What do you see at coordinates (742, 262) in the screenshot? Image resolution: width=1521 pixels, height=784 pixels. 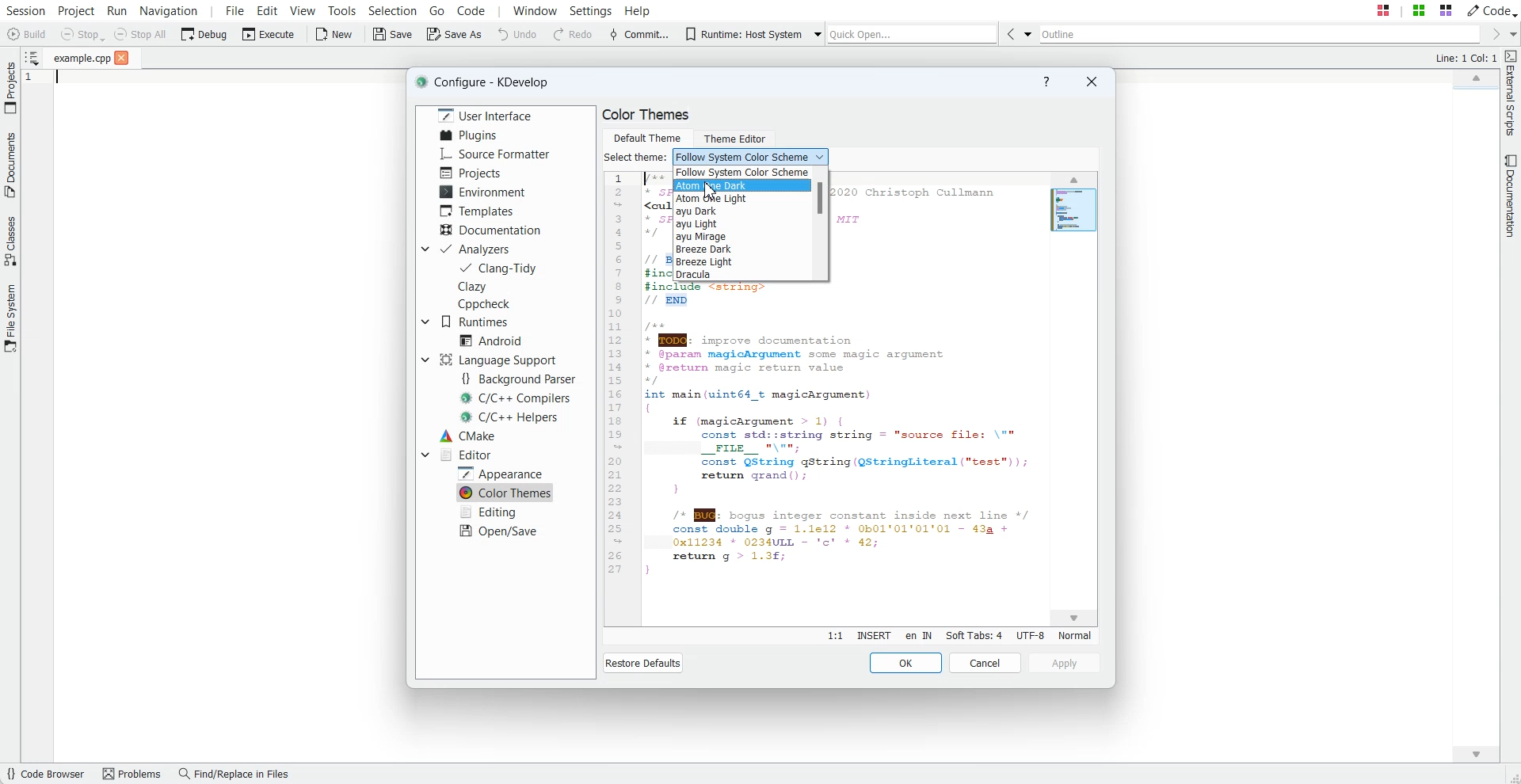 I see `Breeze Light` at bounding box center [742, 262].